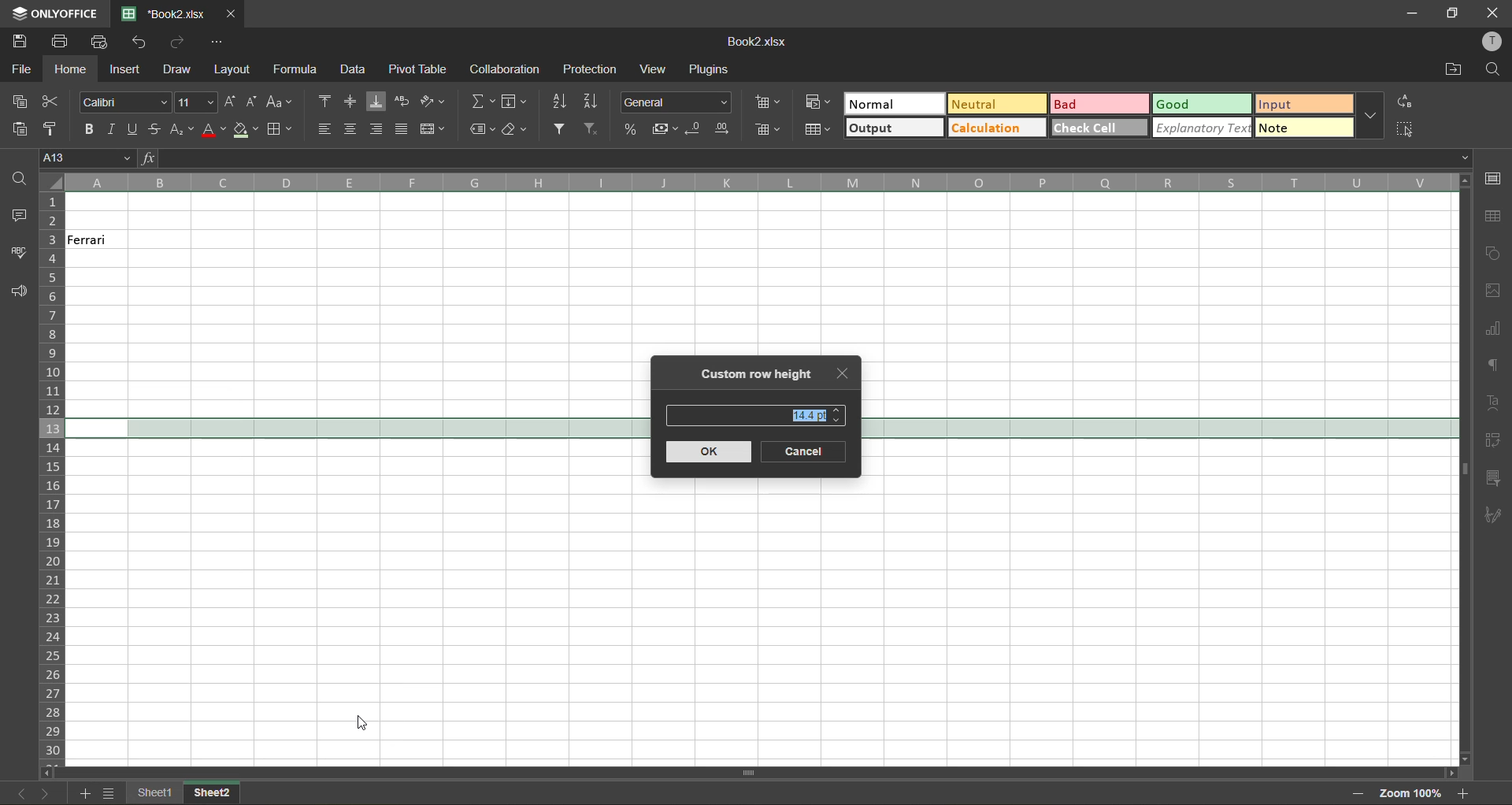  I want to click on sort descending, so click(595, 102).